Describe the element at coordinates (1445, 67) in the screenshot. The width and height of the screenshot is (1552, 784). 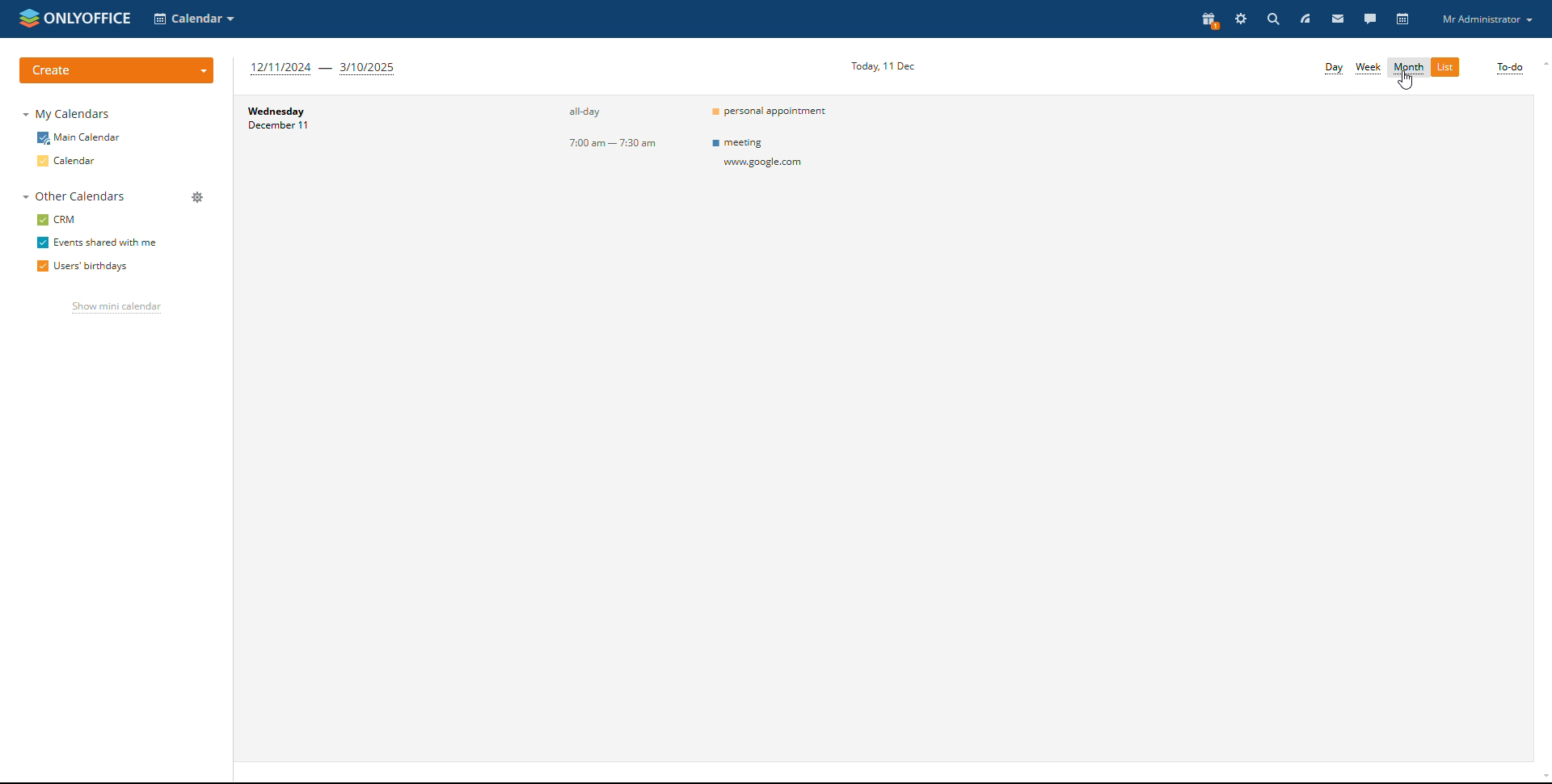
I see `list view` at that location.